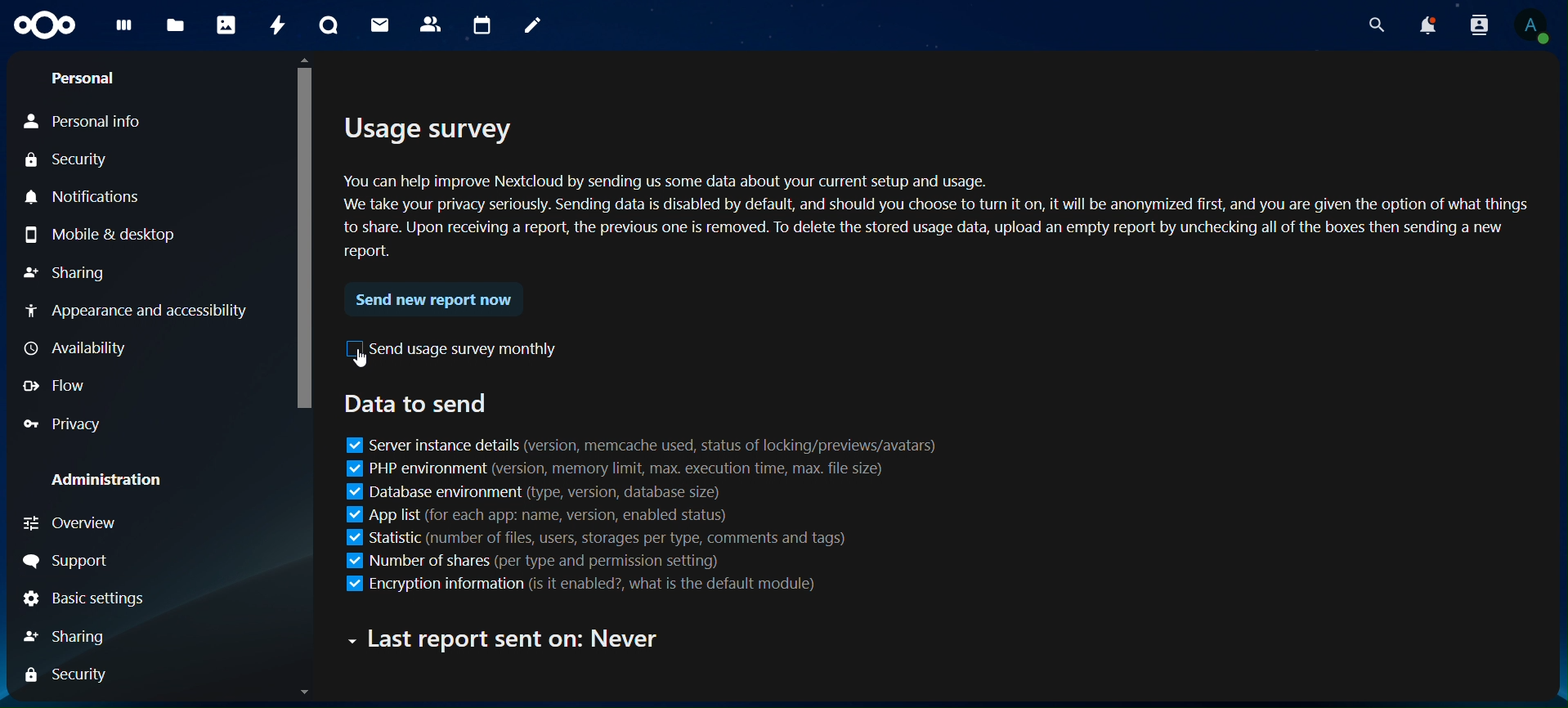 This screenshot has width=1568, height=708. I want to click on number of shares, so click(537, 562).